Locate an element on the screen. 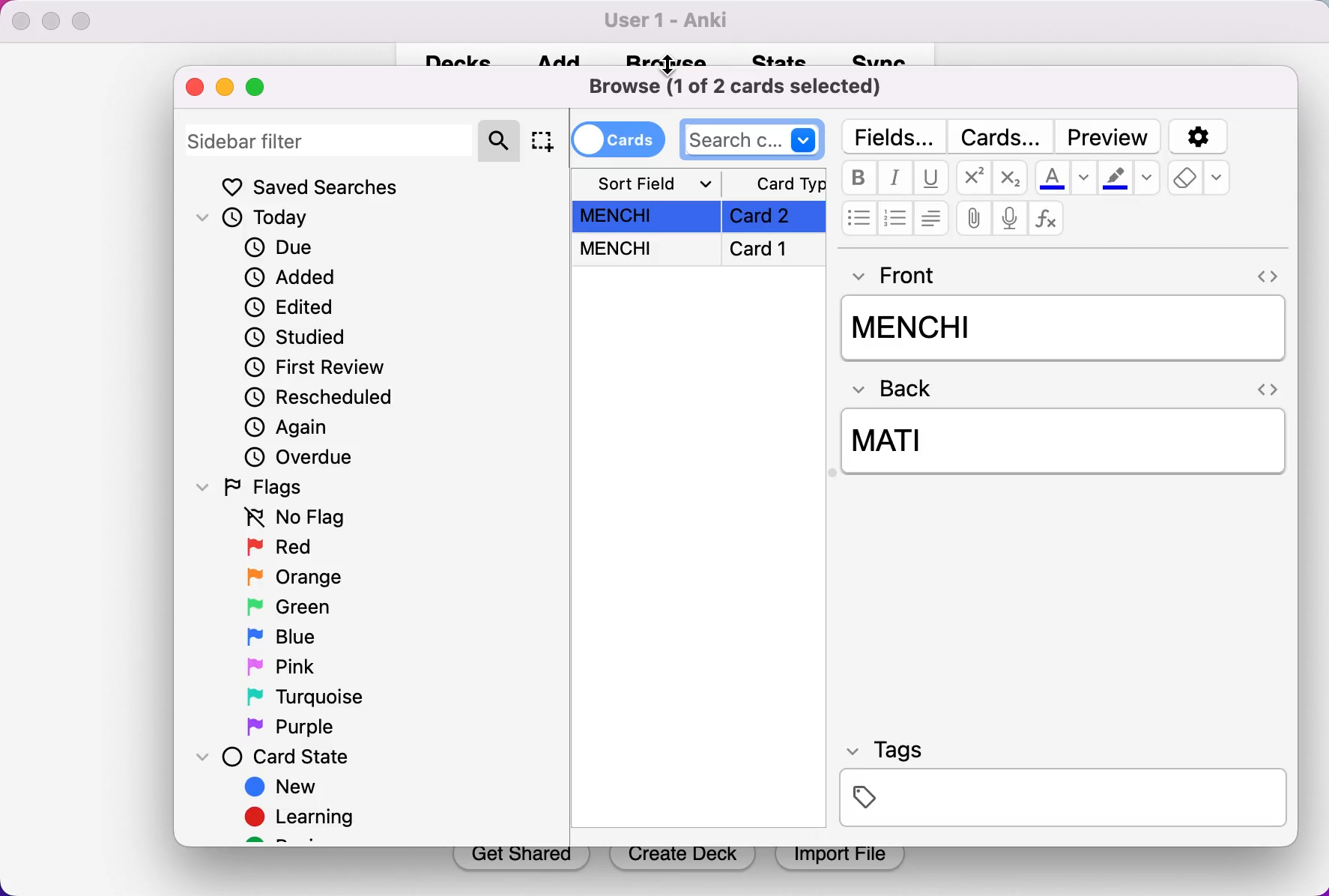  minimize is located at coordinates (226, 88).